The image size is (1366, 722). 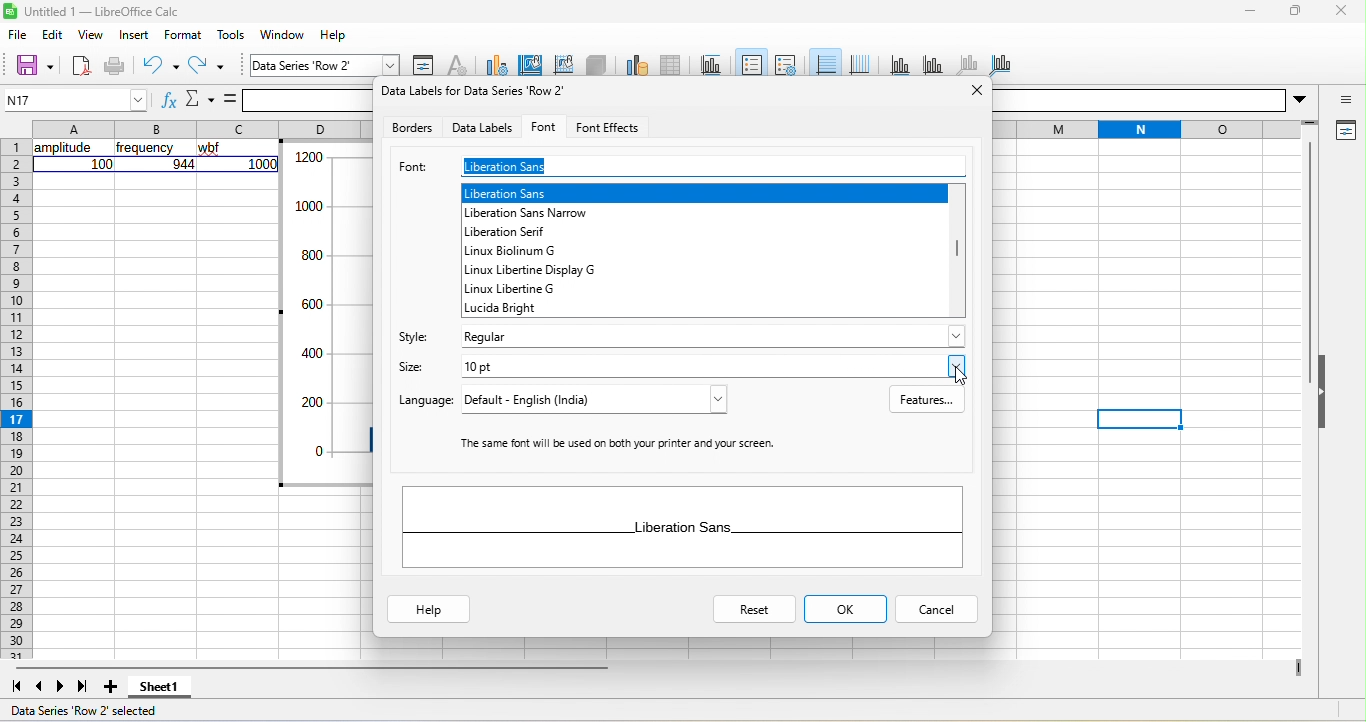 I want to click on save, so click(x=27, y=65).